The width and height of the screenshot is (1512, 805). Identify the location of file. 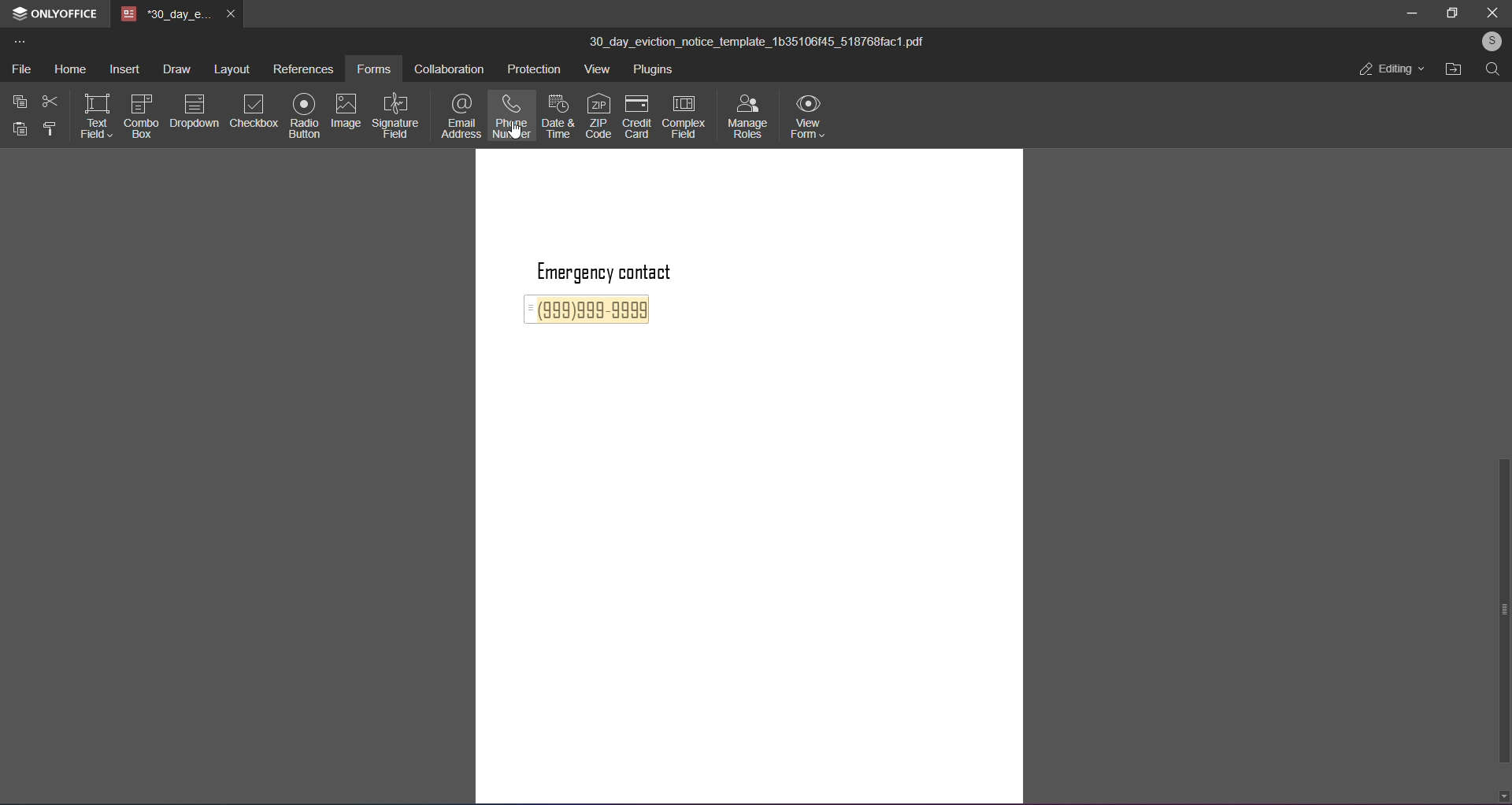
(21, 71).